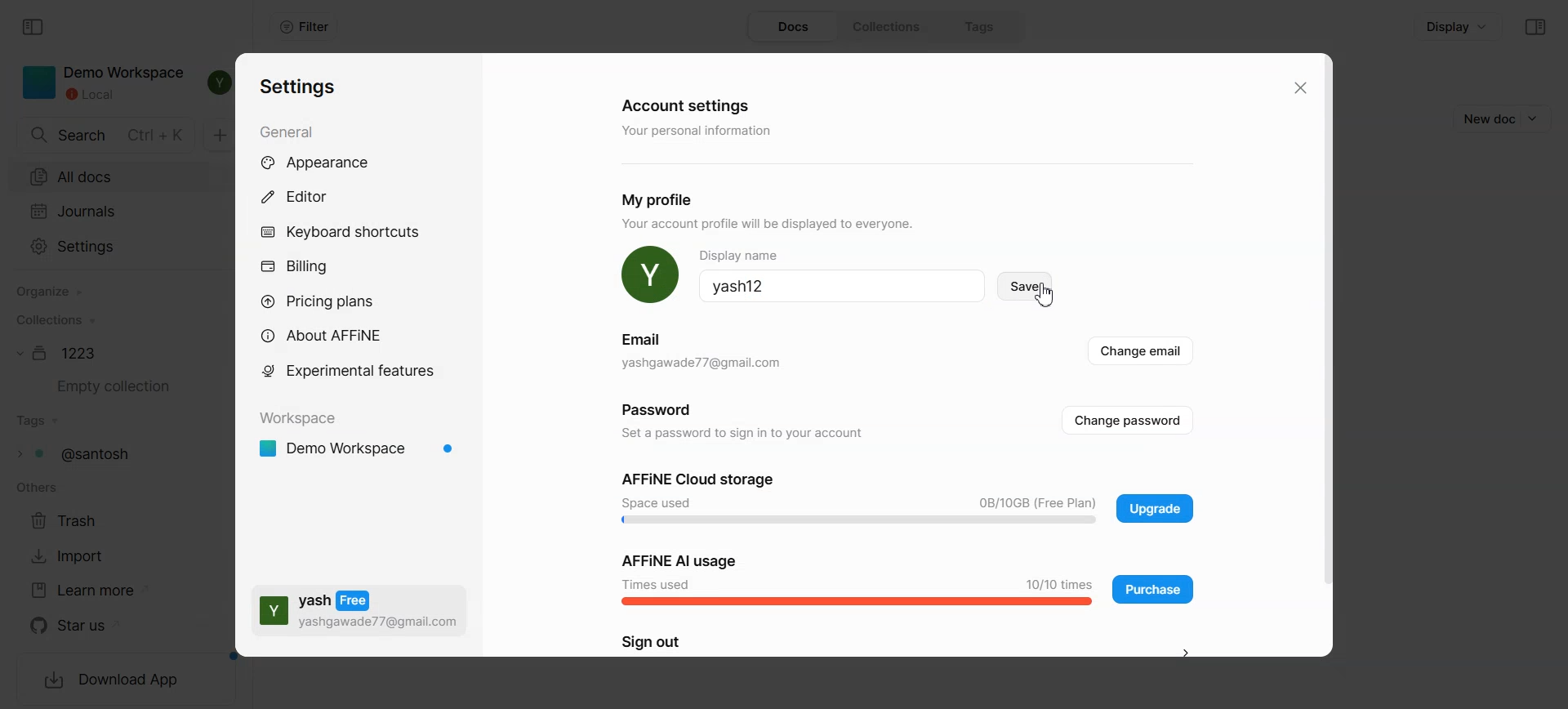  What do you see at coordinates (110, 211) in the screenshot?
I see `Journals` at bounding box center [110, 211].